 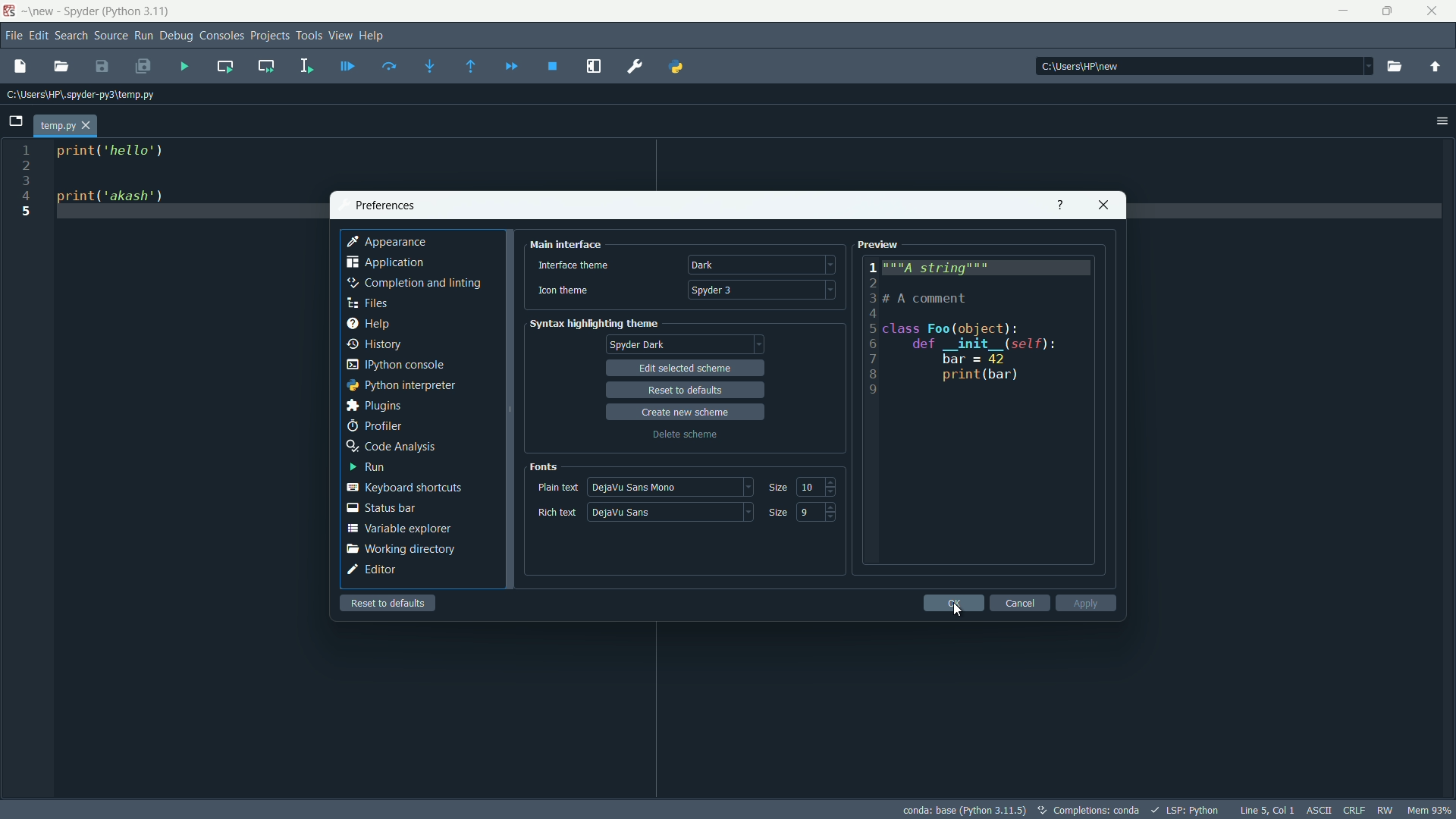 I want to click on plain text dropdown, so click(x=670, y=486).